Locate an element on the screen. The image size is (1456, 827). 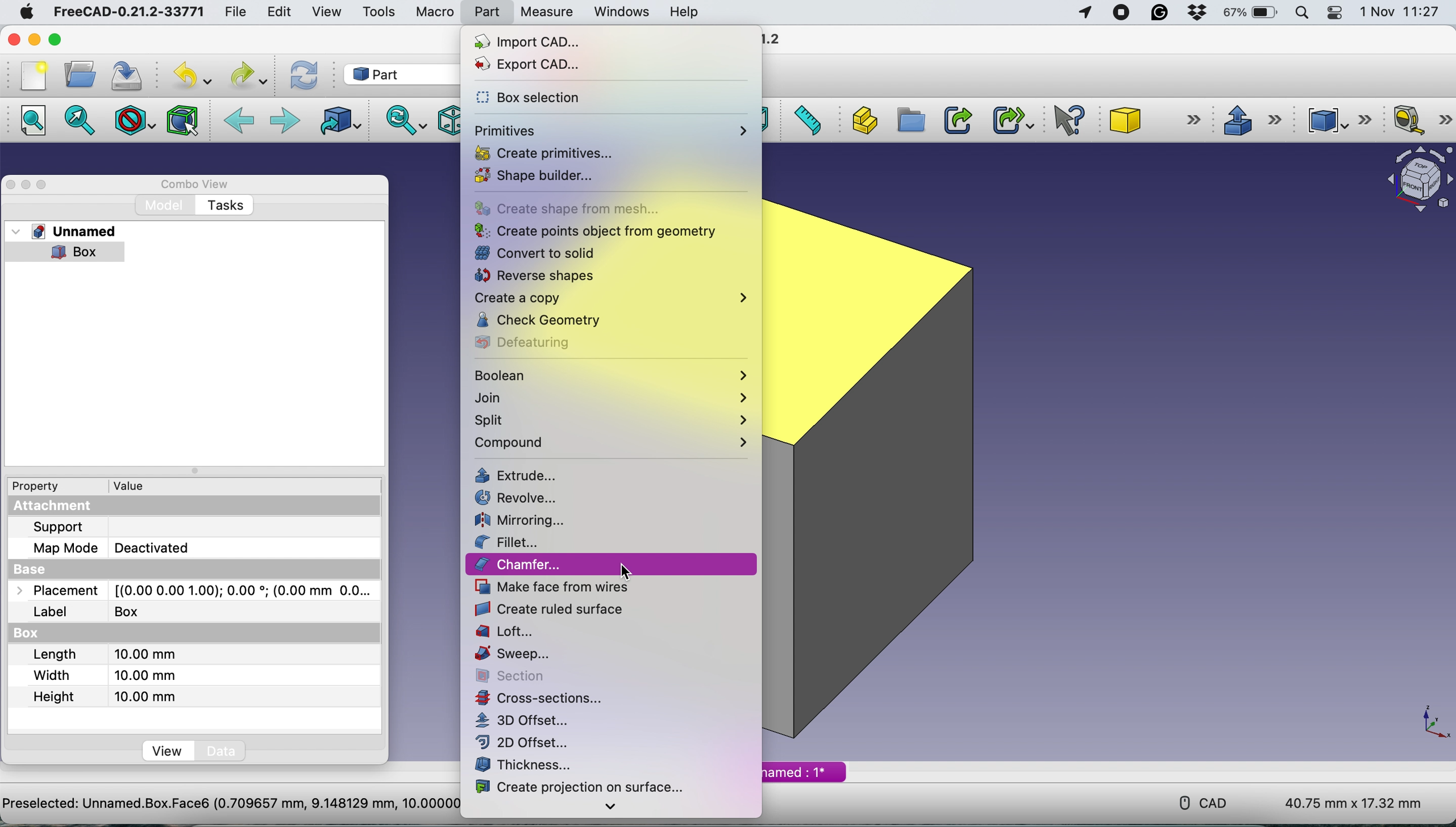
fit to selection is located at coordinates (80, 119).